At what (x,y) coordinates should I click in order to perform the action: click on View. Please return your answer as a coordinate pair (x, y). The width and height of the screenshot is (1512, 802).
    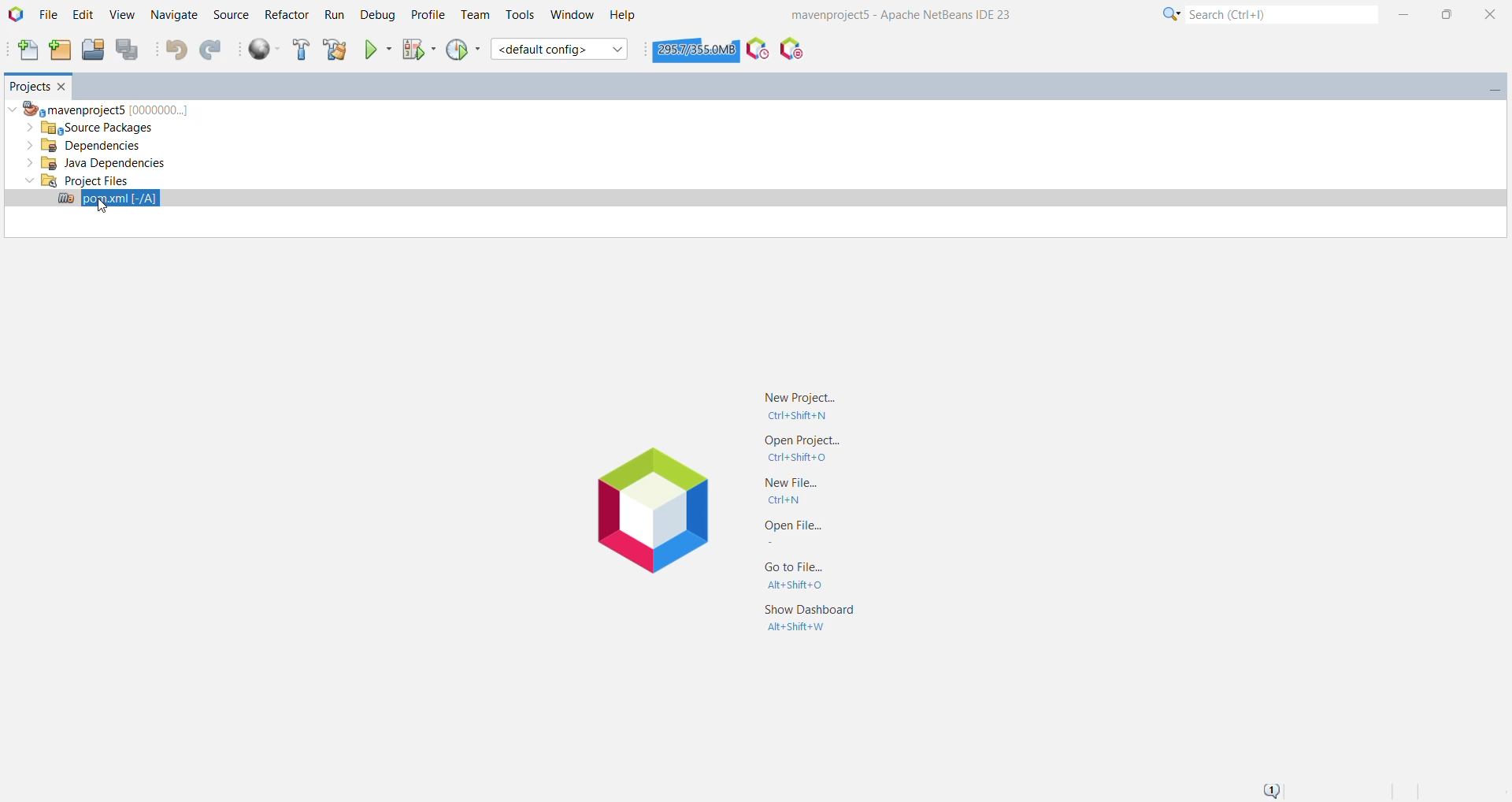
    Looking at the image, I should click on (124, 15).